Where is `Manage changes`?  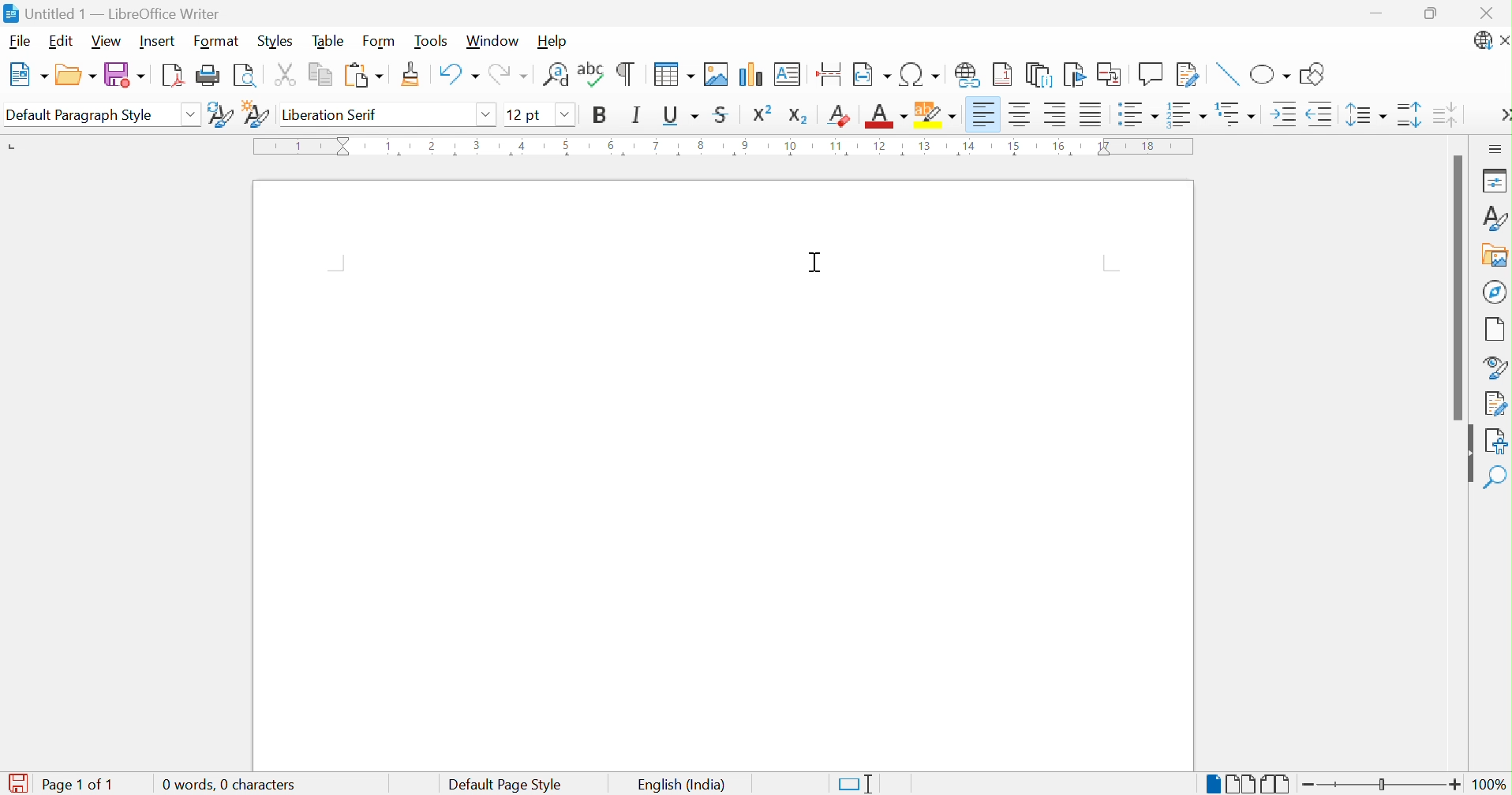
Manage changes is located at coordinates (1495, 405).